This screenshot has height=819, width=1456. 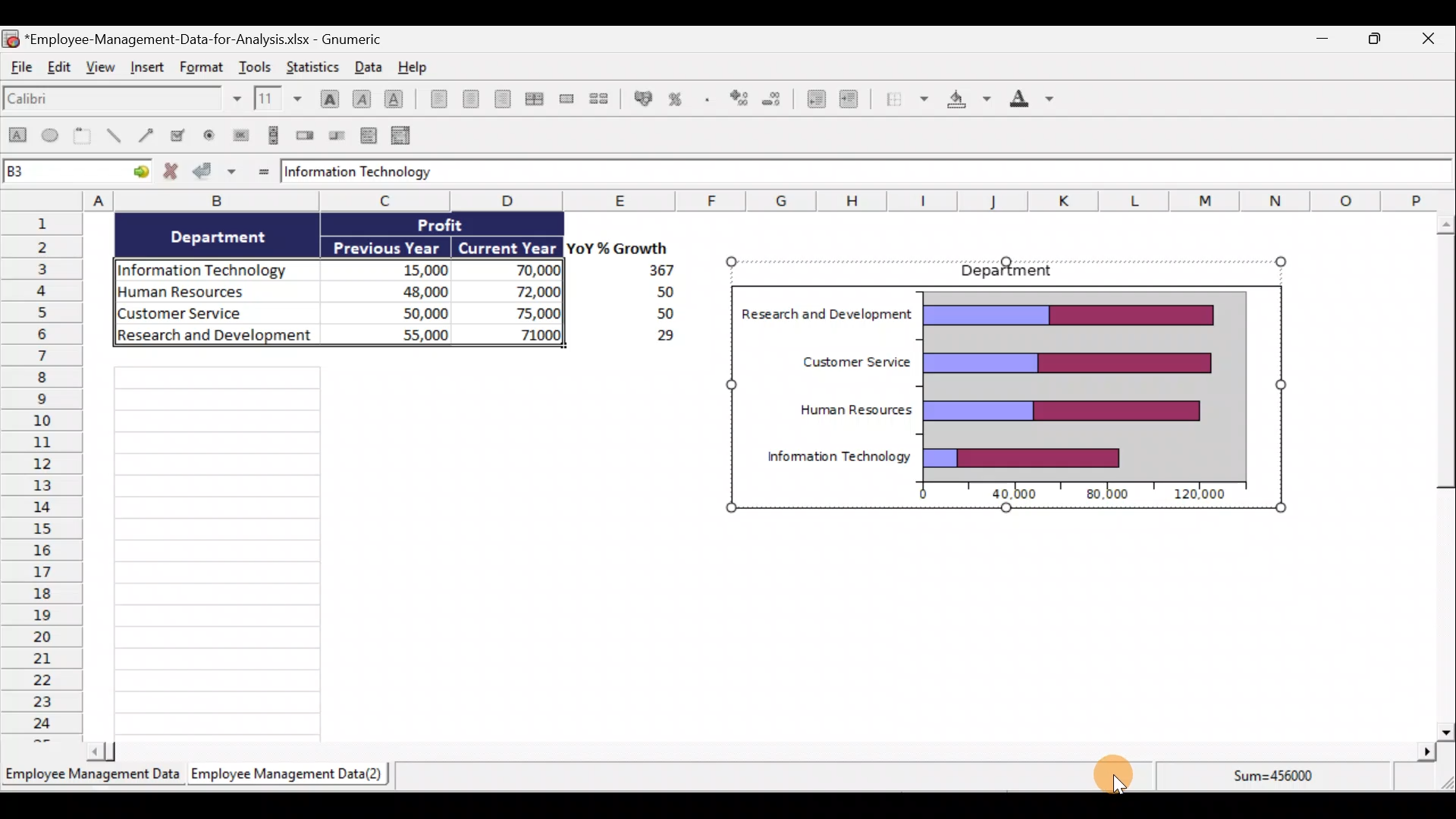 What do you see at coordinates (194, 37) in the screenshot?
I see `Document name` at bounding box center [194, 37].